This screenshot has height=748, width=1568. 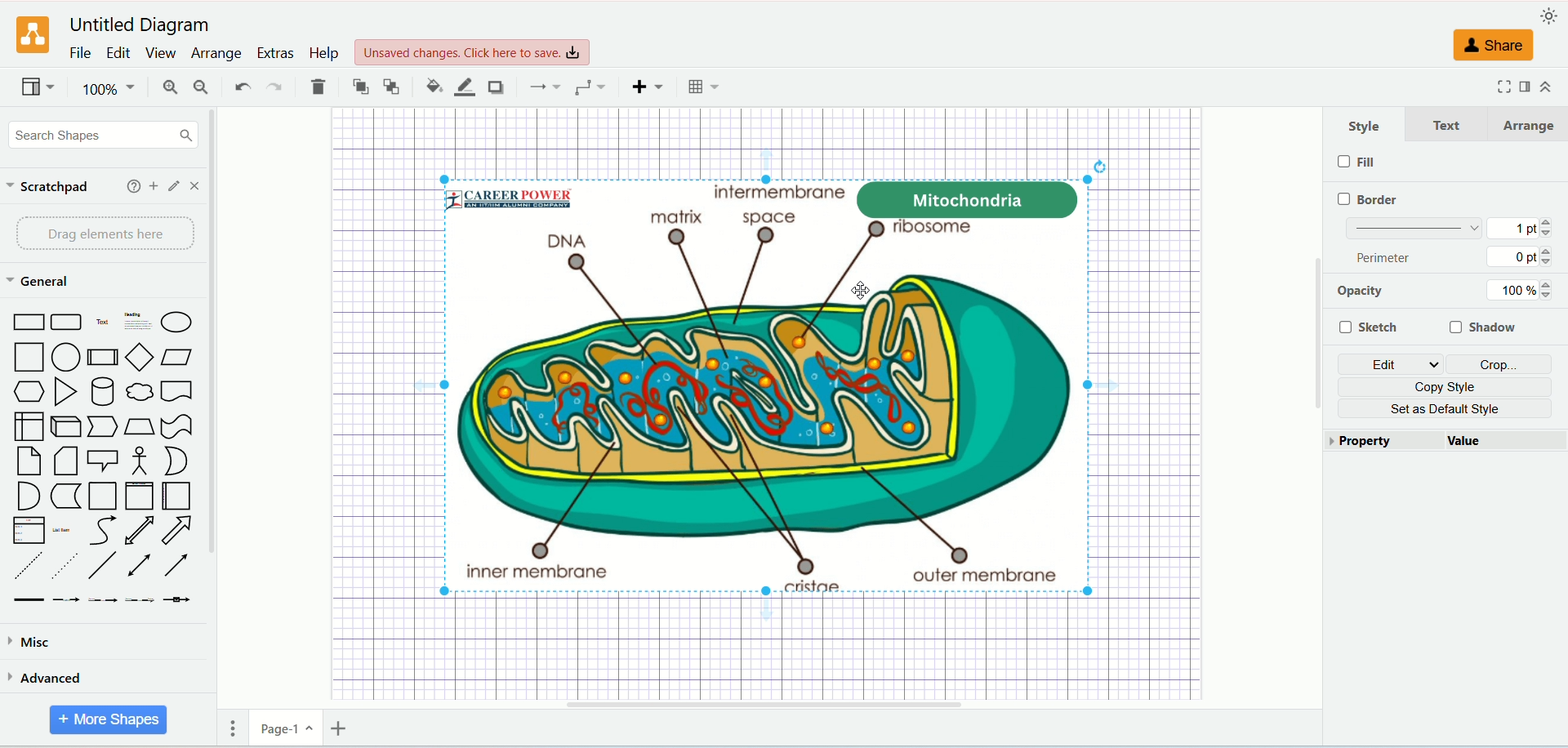 I want to click on Callout, so click(x=102, y=463).